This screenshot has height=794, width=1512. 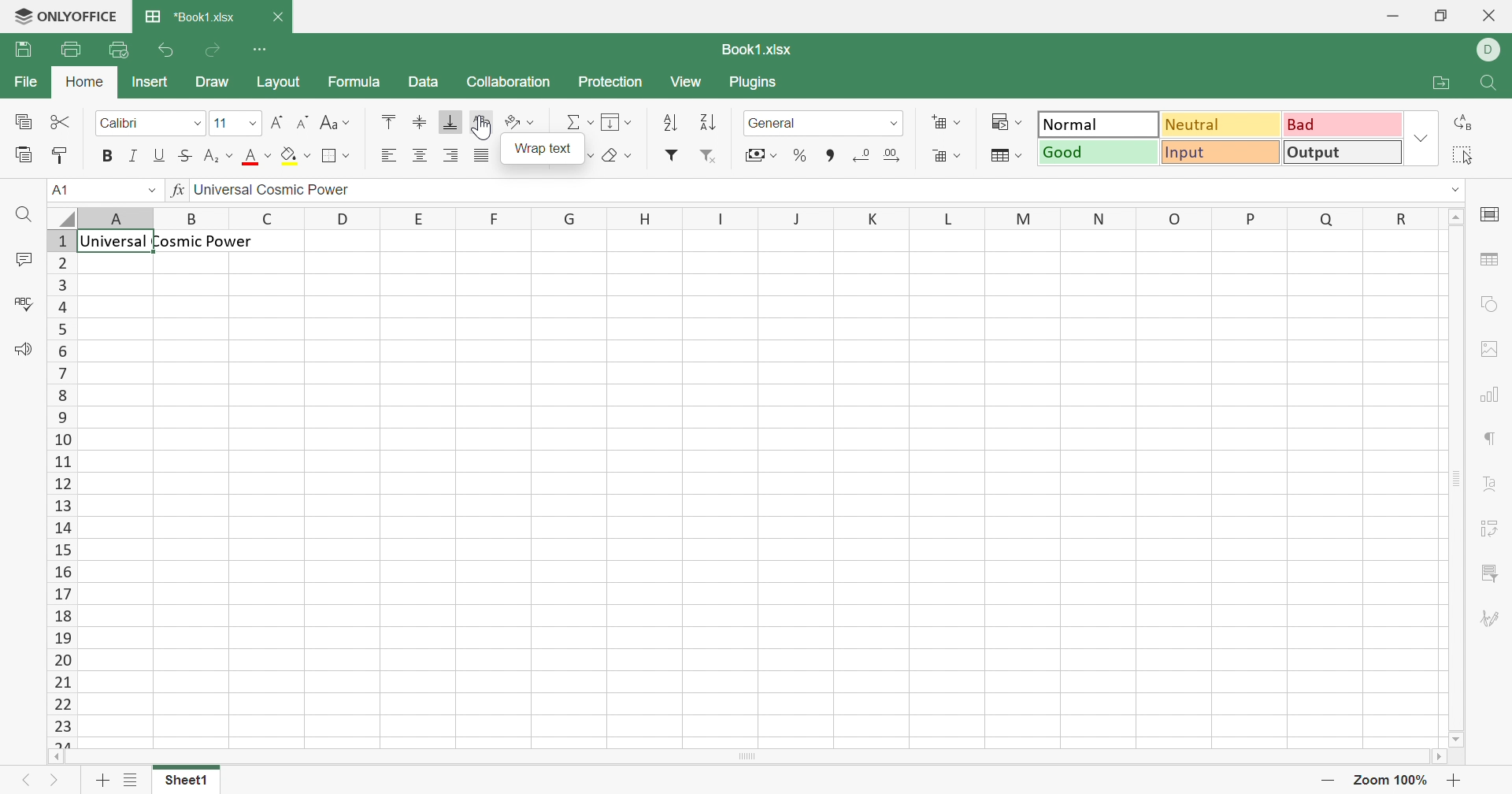 I want to click on Layout, so click(x=276, y=83).